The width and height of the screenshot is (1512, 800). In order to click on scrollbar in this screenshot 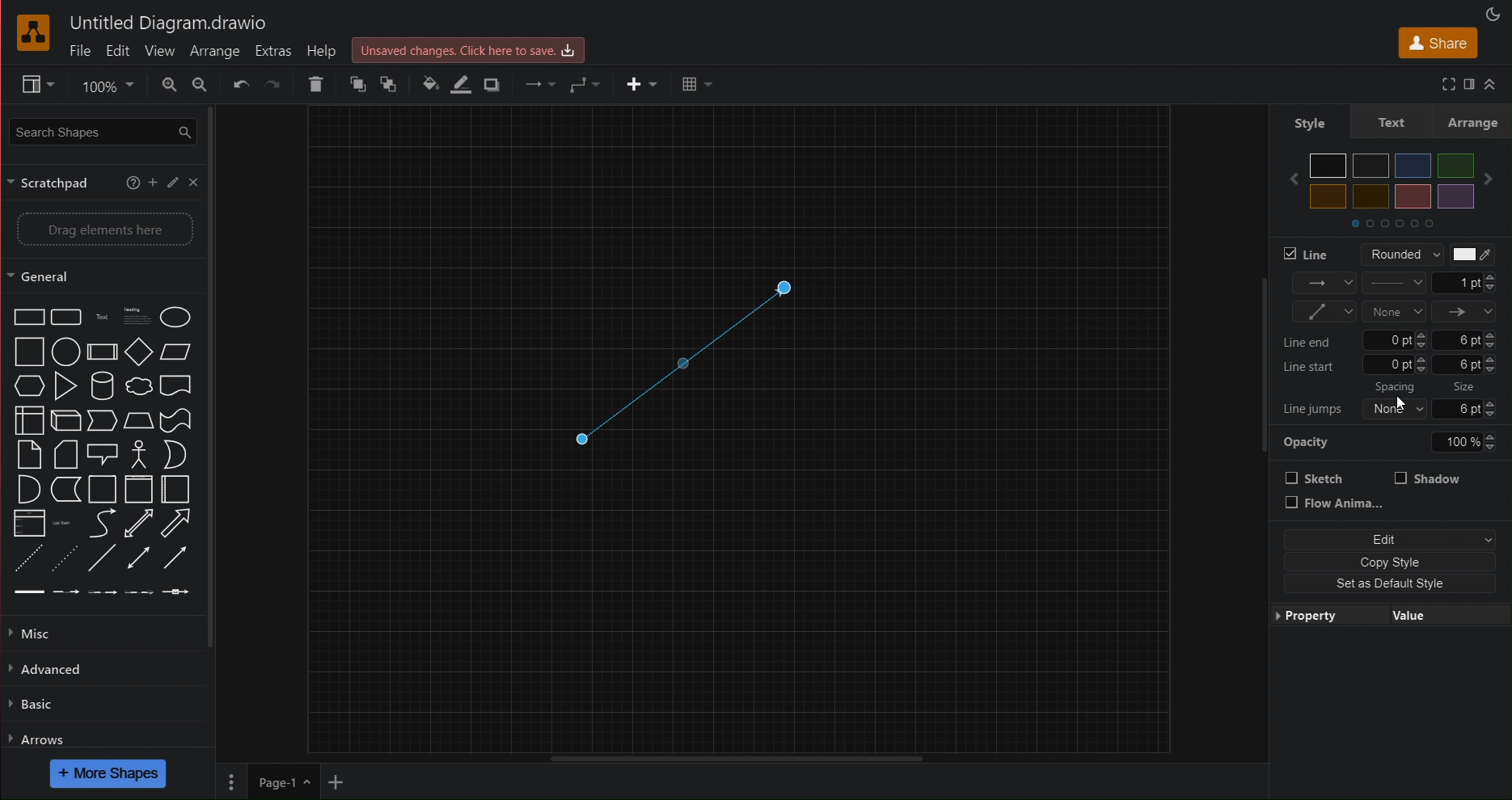, I will do `click(218, 377)`.